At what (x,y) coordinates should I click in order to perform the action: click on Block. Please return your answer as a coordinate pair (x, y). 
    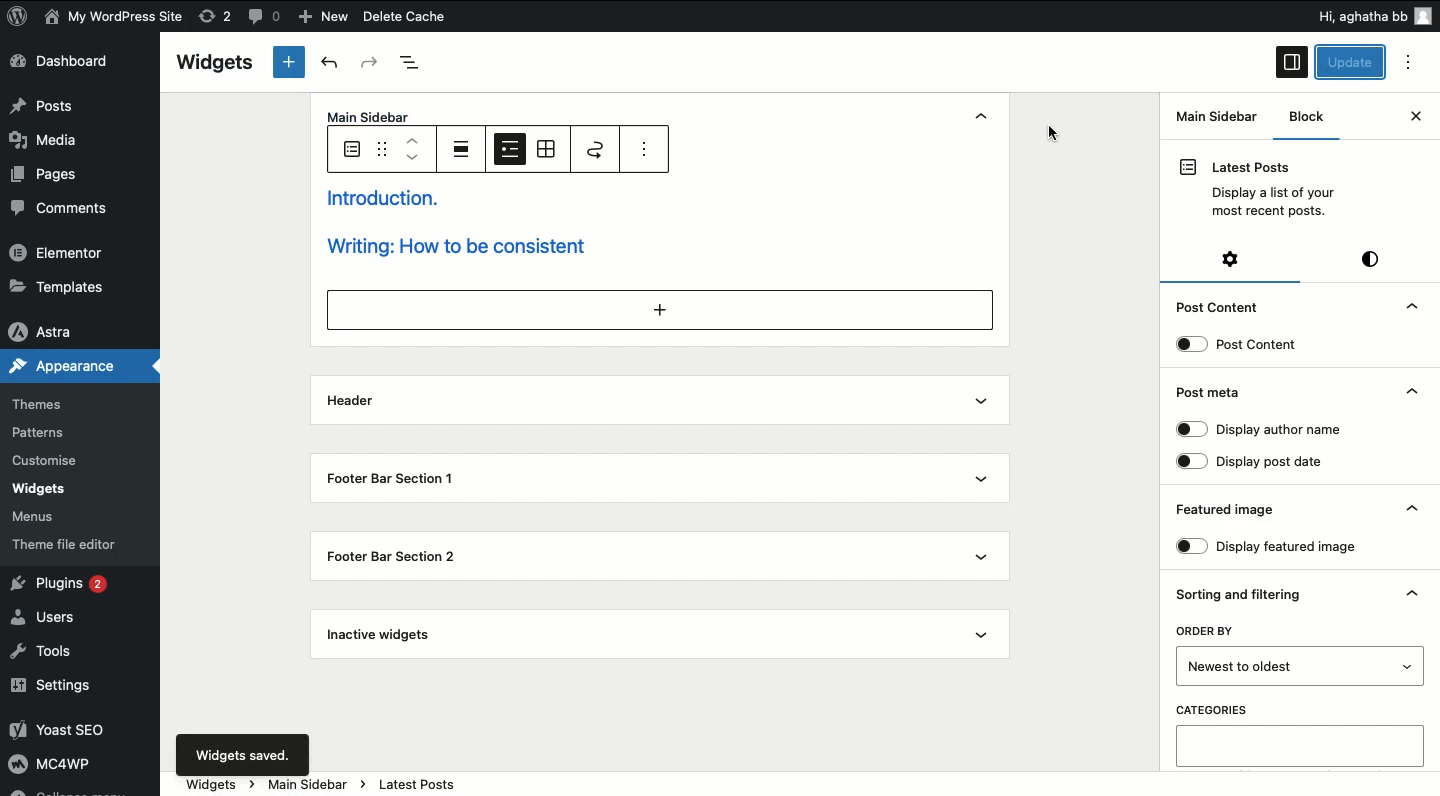
    Looking at the image, I should click on (1308, 114).